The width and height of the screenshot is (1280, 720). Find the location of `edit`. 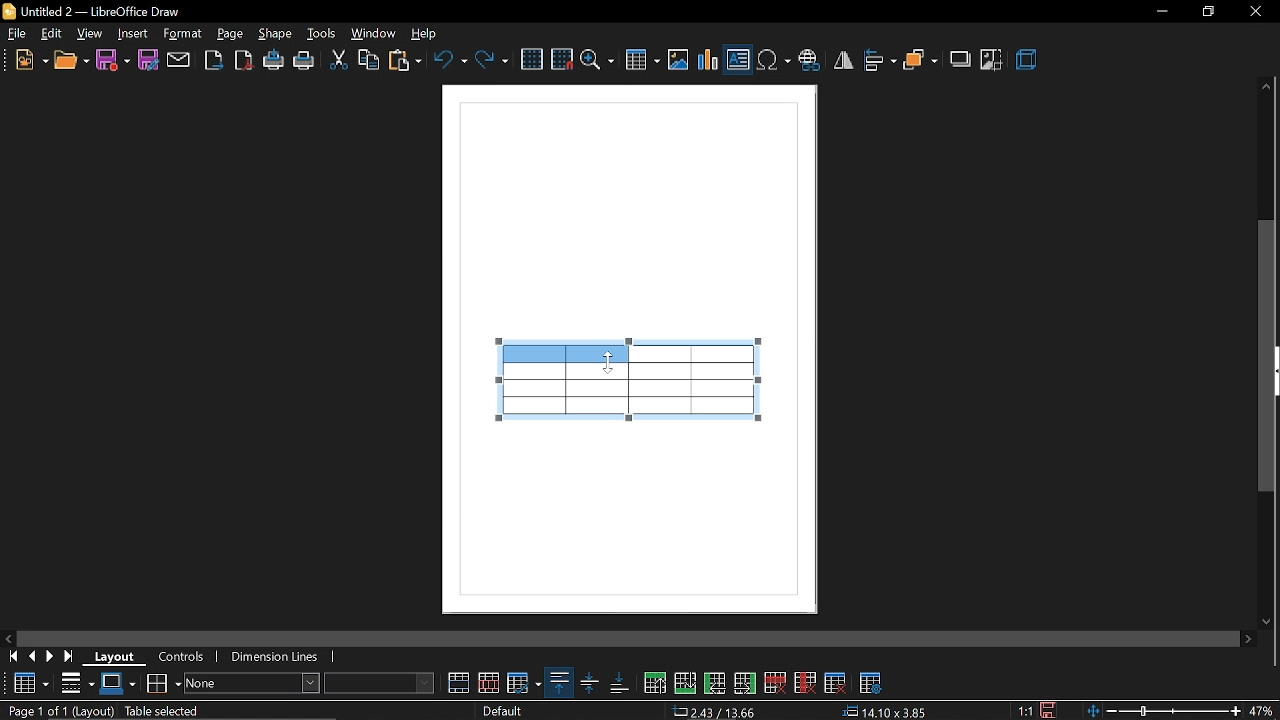

edit is located at coordinates (50, 32).